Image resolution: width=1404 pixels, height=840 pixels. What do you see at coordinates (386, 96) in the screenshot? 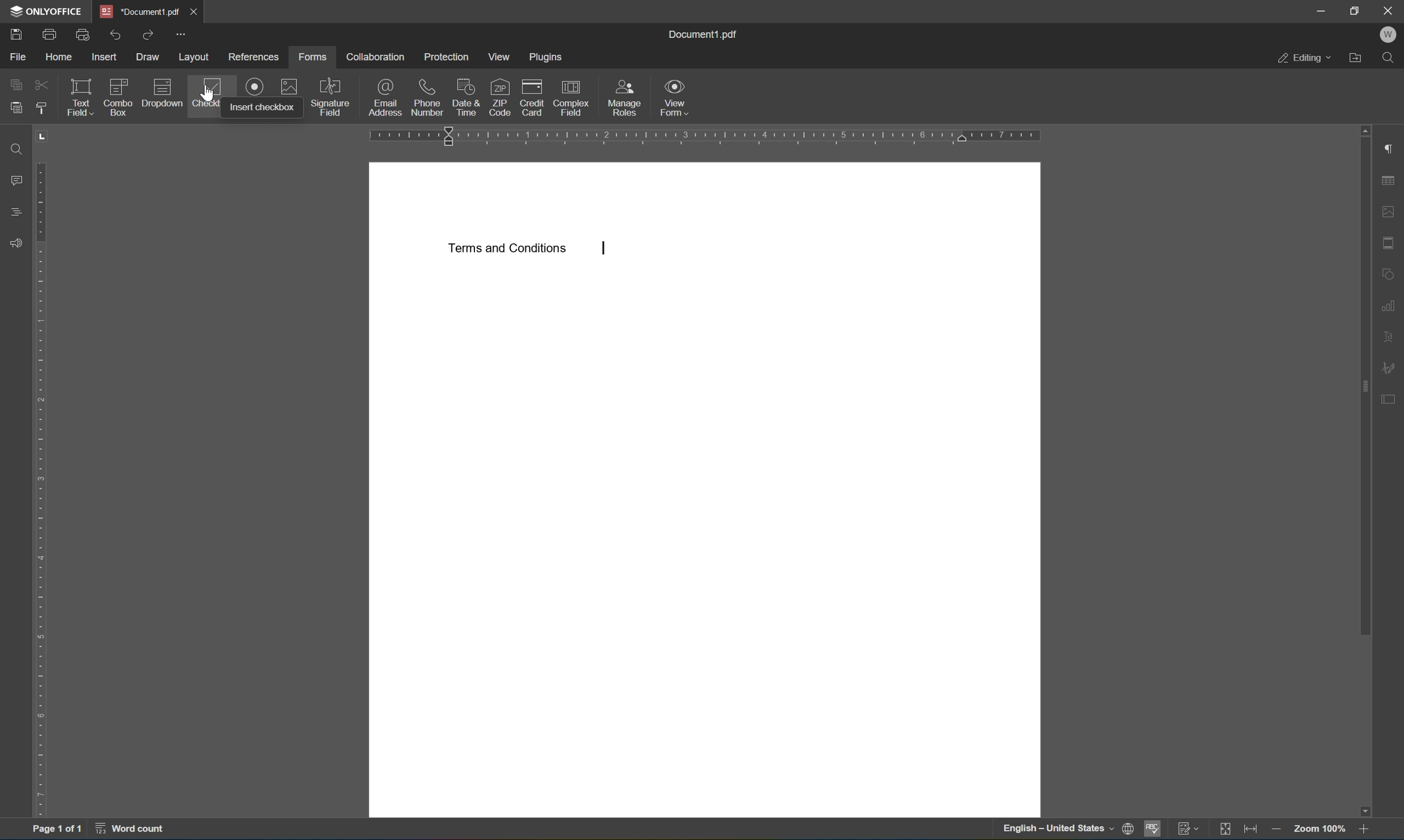
I see `email address` at bounding box center [386, 96].